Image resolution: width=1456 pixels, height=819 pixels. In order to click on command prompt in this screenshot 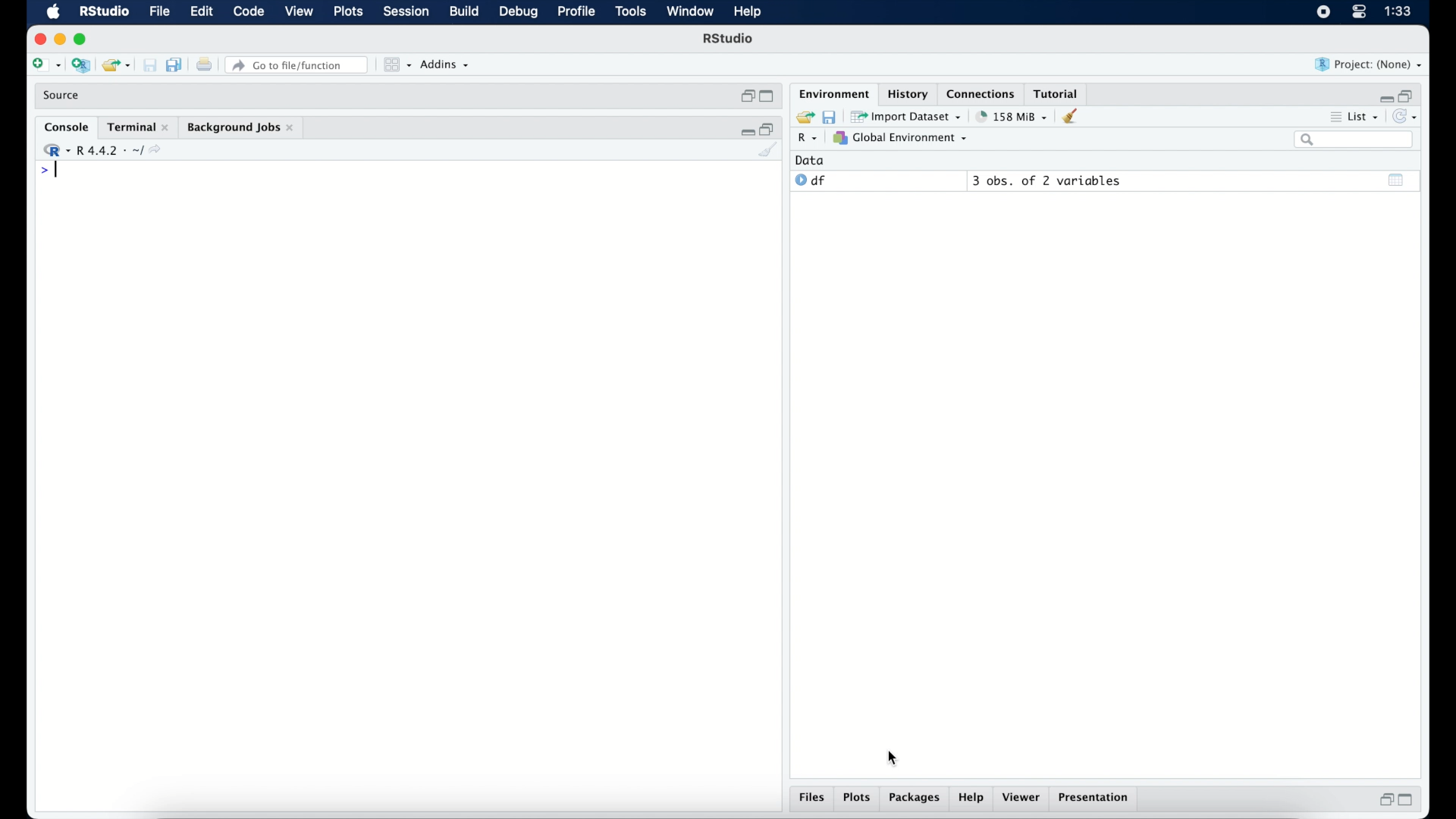, I will do `click(44, 171)`.